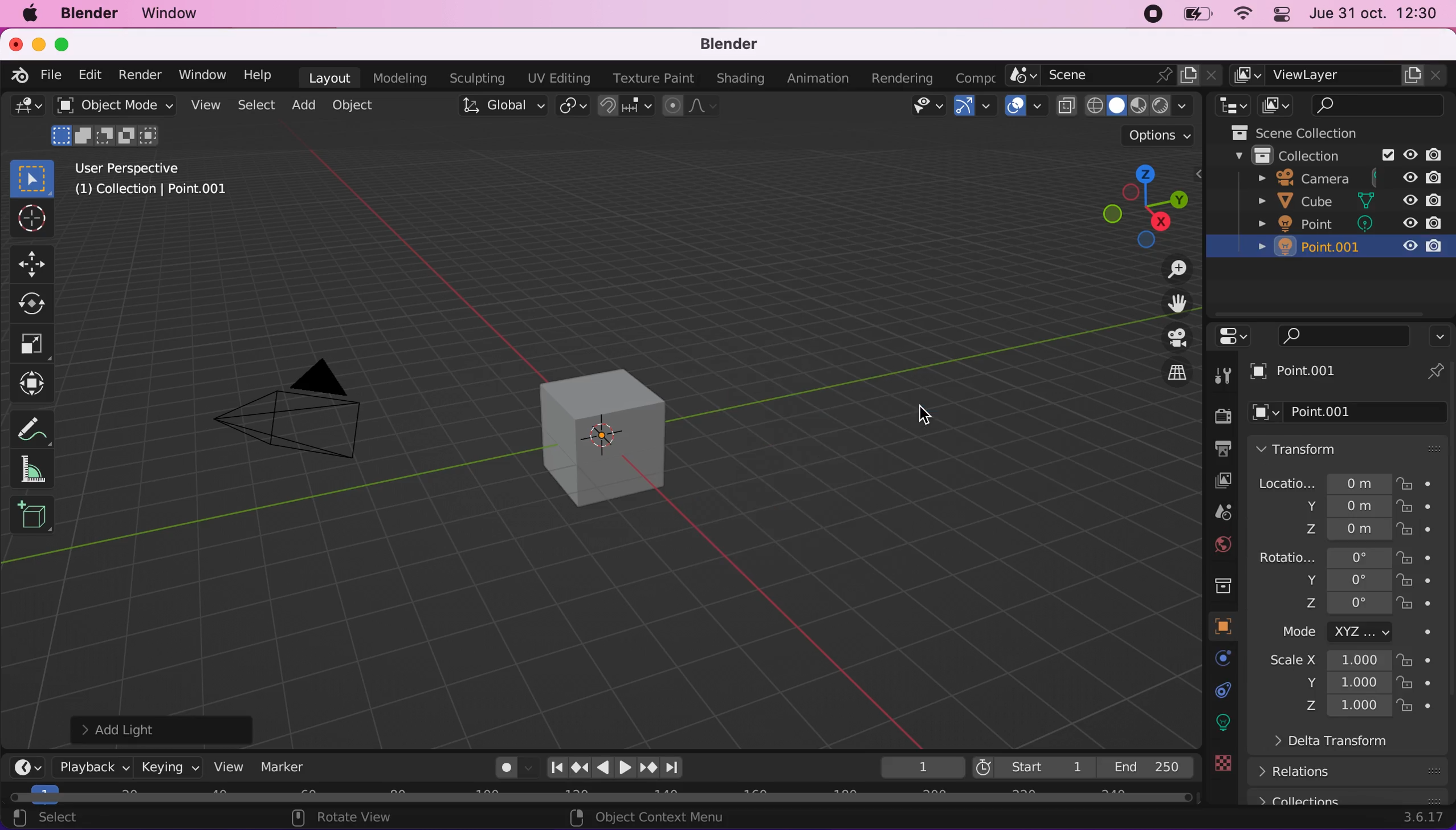  Describe the element at coordinates (1141, 105) in the screenshot. I see `shading` at that location.